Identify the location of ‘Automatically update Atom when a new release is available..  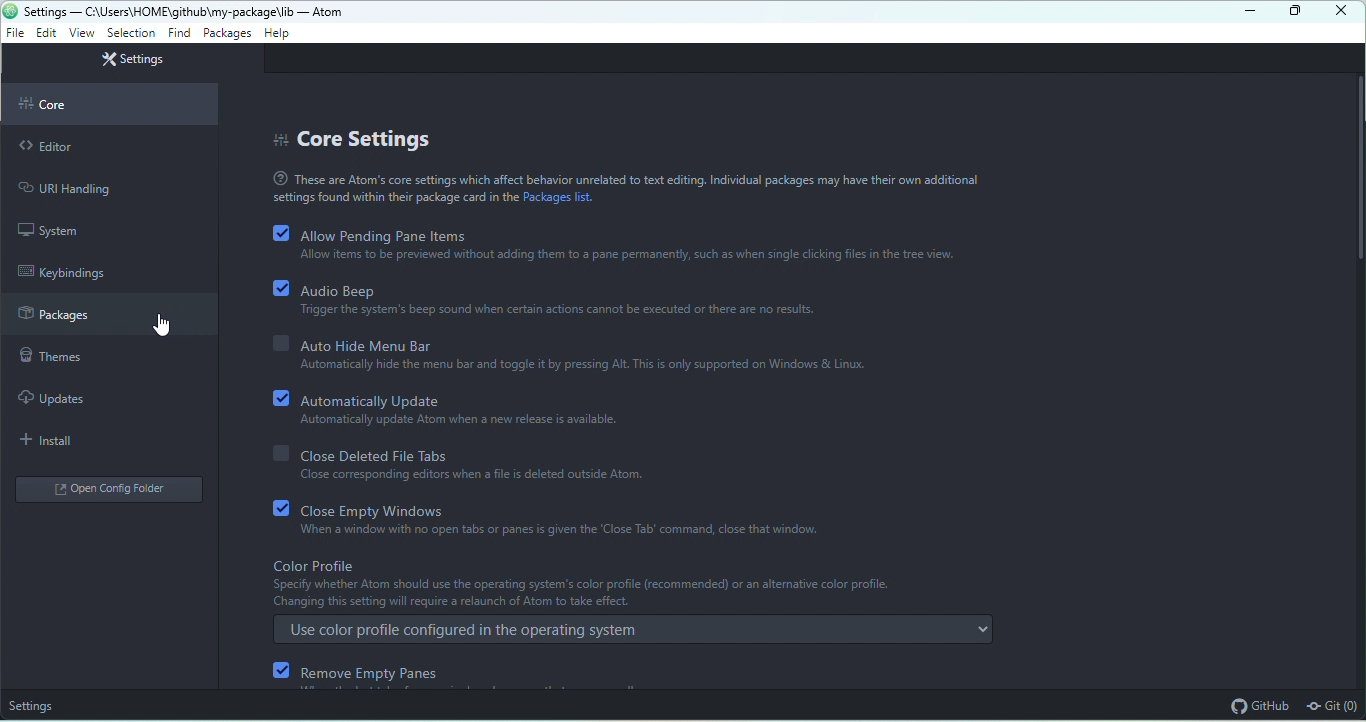
(434, 420).